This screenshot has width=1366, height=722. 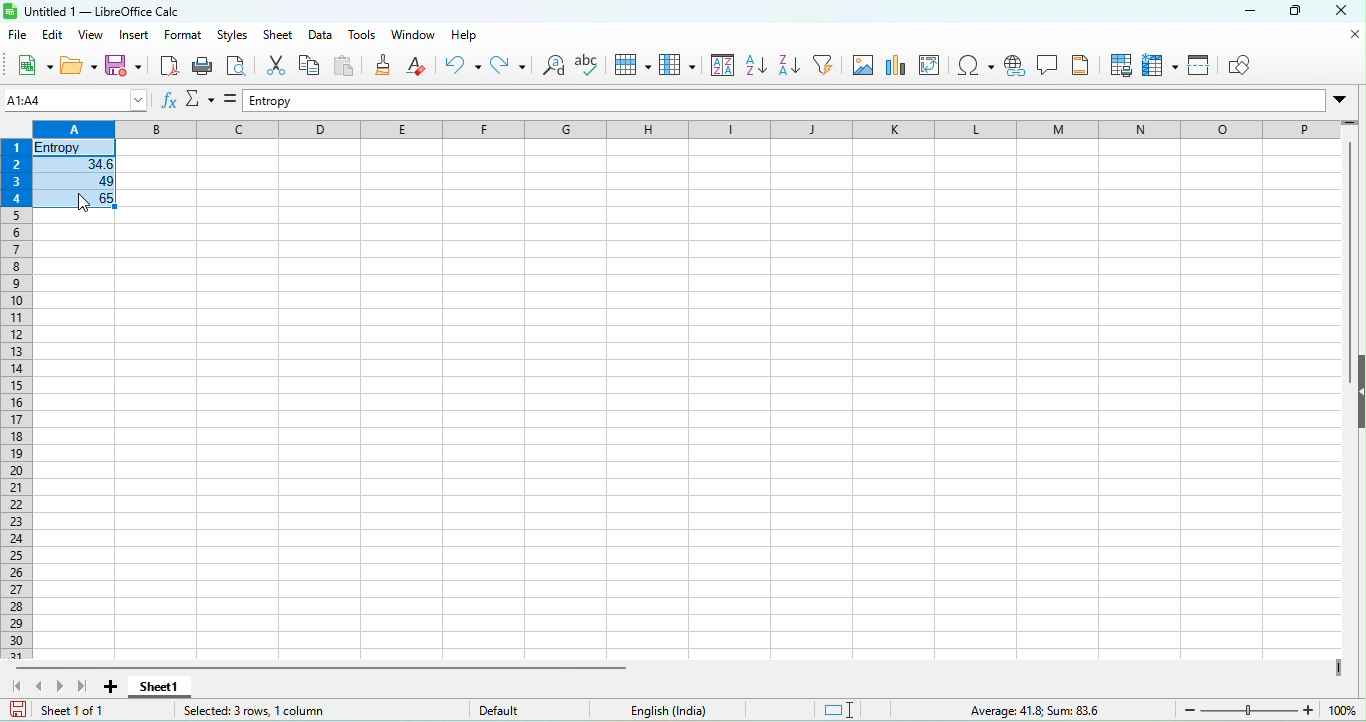 I want to click on image, so click(x=867, y=66).